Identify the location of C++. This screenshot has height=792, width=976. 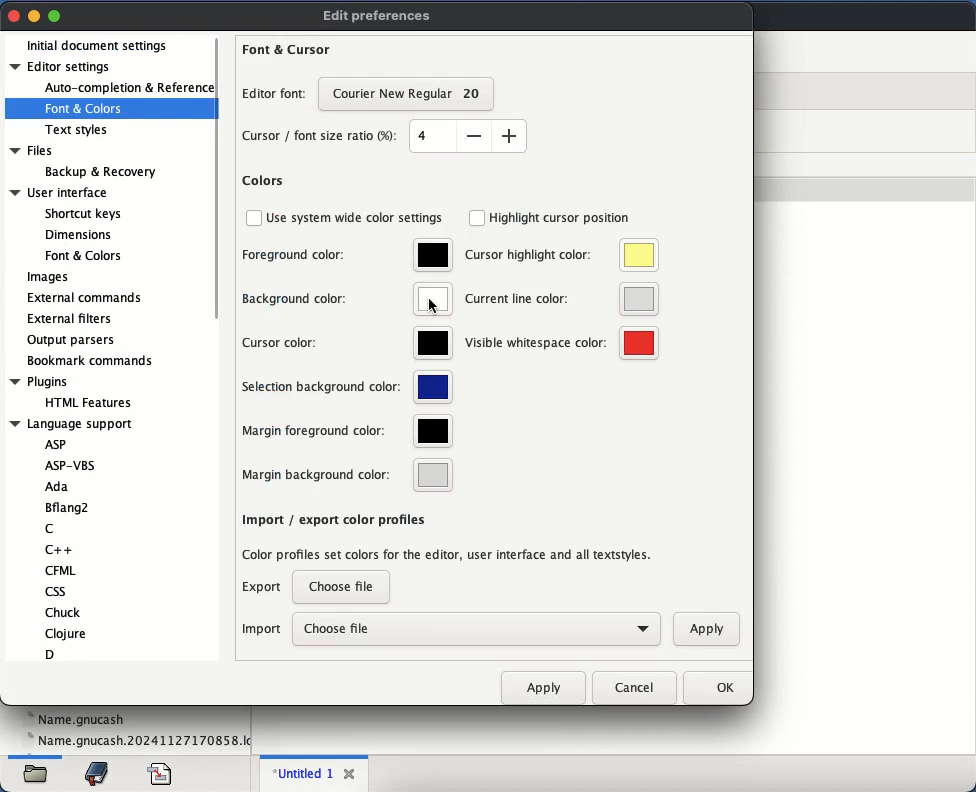
(54, 549).